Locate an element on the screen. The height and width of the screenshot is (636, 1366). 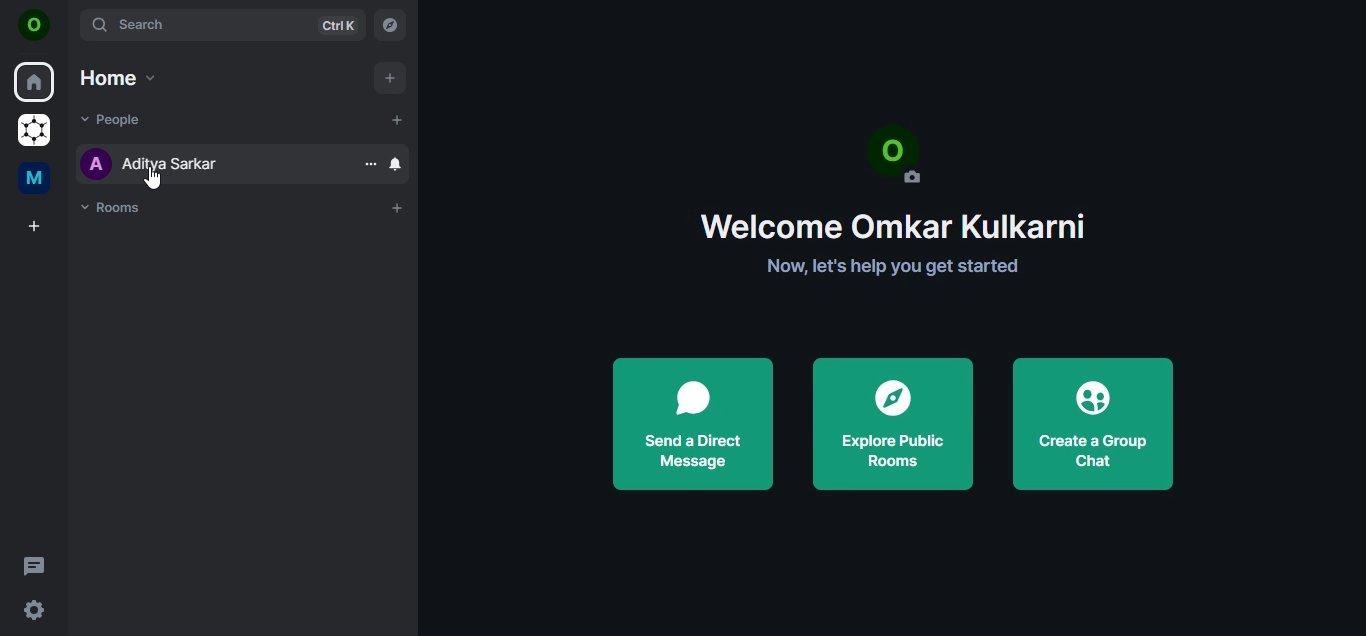
grapheneOS is located at coordinates (32, 131).